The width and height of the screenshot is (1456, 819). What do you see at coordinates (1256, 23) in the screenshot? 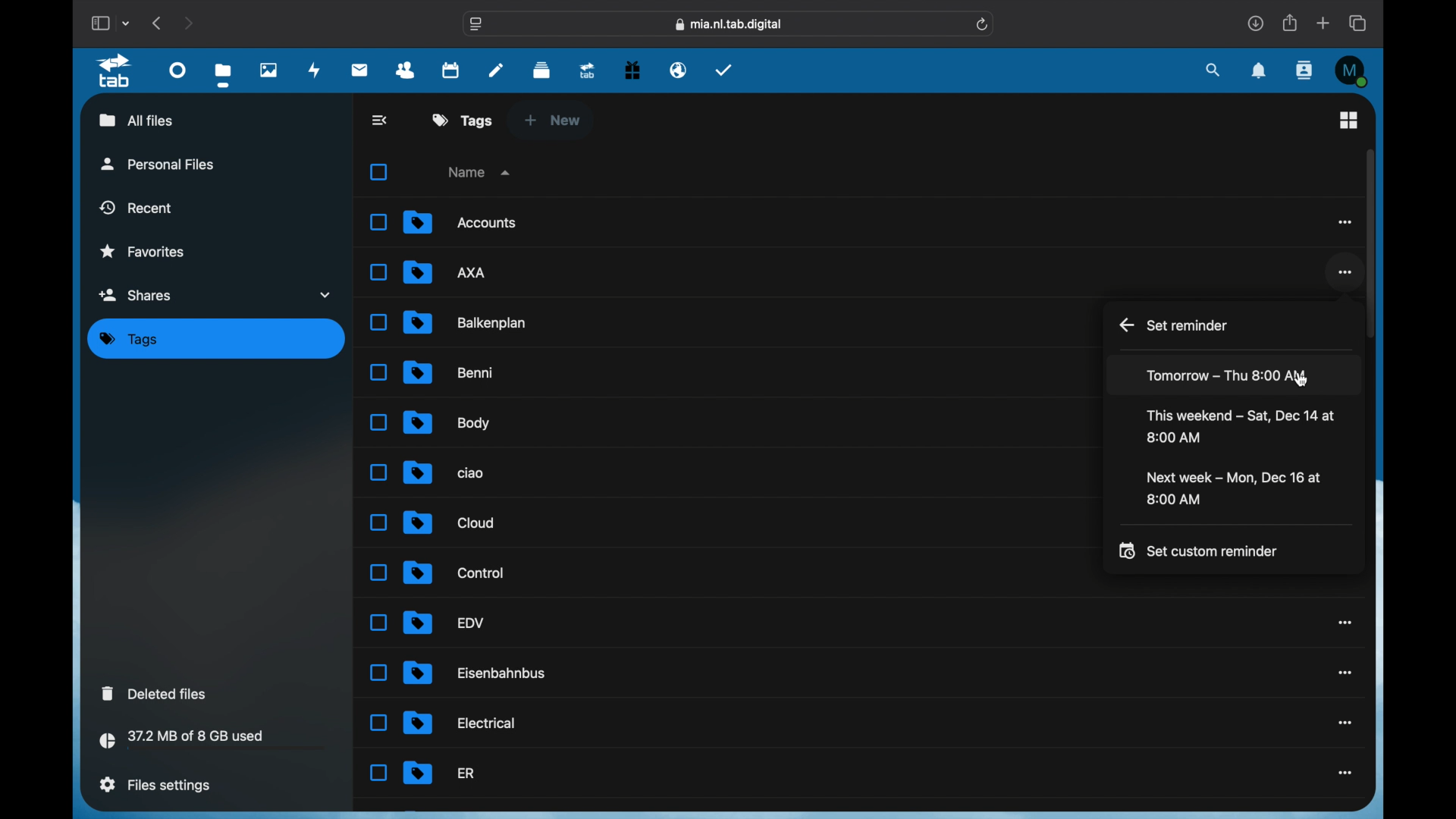
I see `downloads` at bounding box center [1256, 23].